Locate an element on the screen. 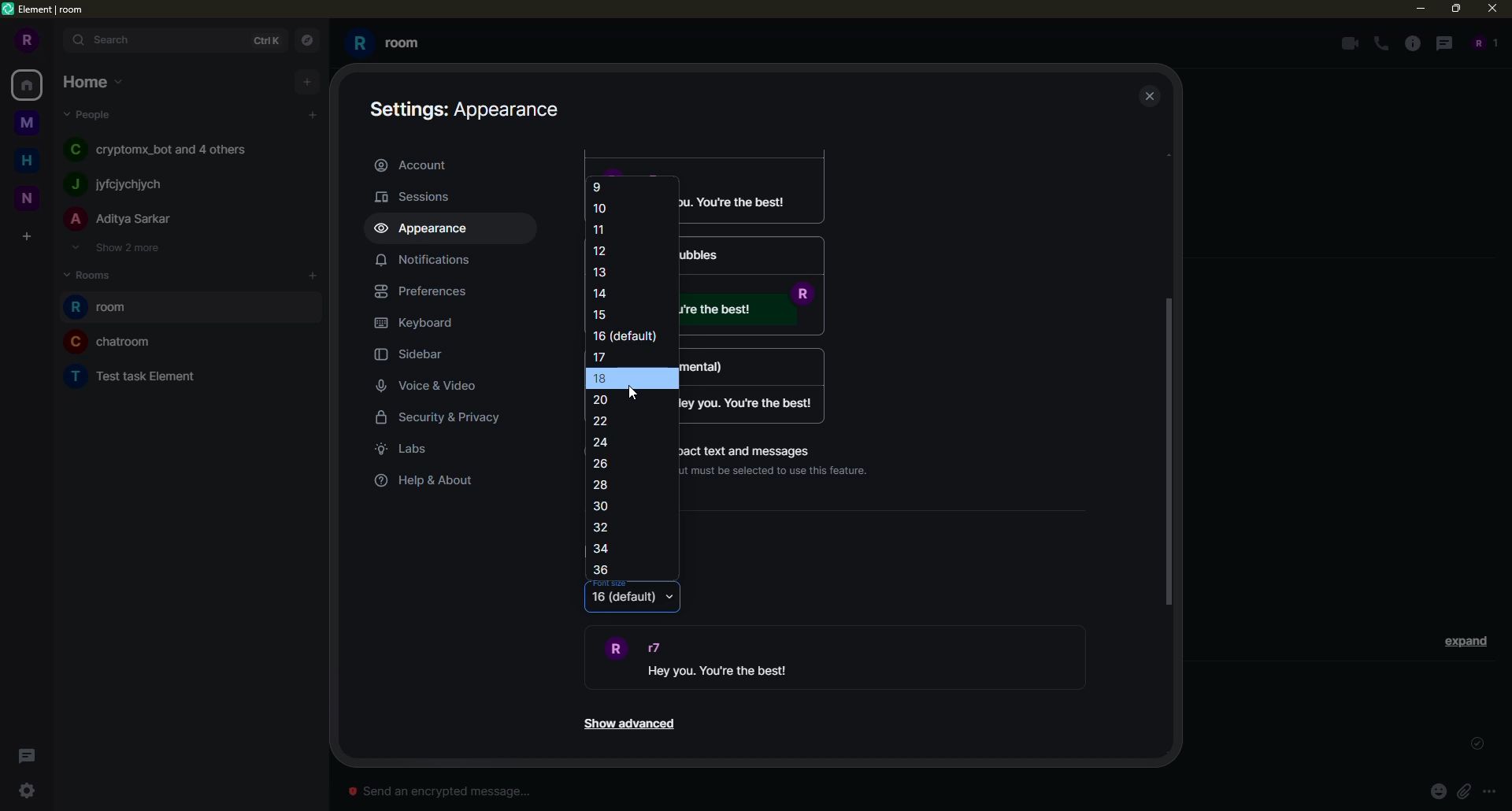 The width and height of the screenshot is (1512, 811). home is located at coordinates (31, 158).